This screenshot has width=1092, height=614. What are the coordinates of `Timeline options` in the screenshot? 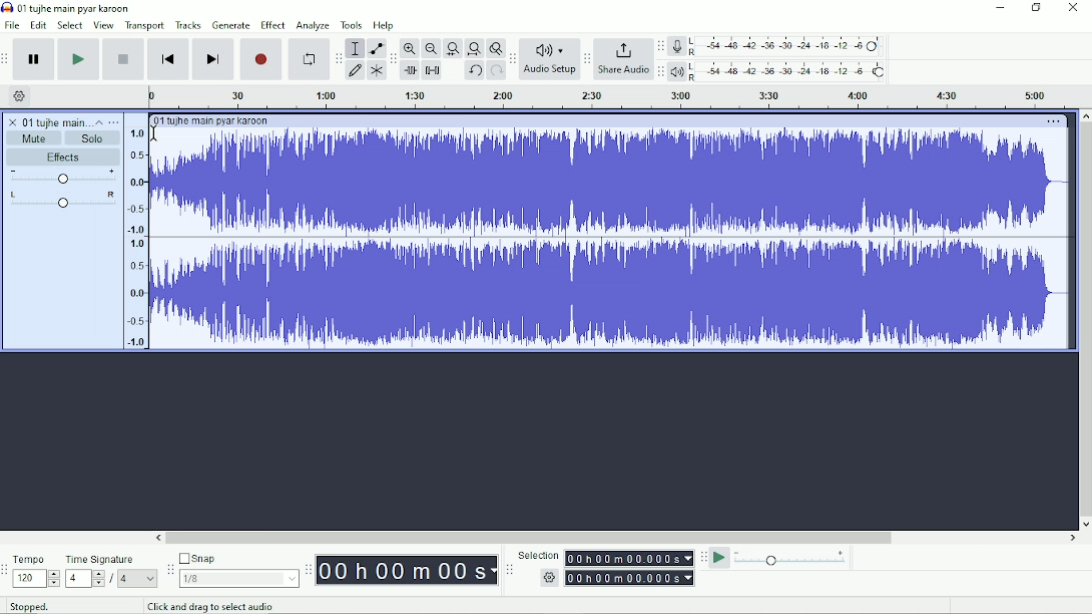 It's located at (18, 96).